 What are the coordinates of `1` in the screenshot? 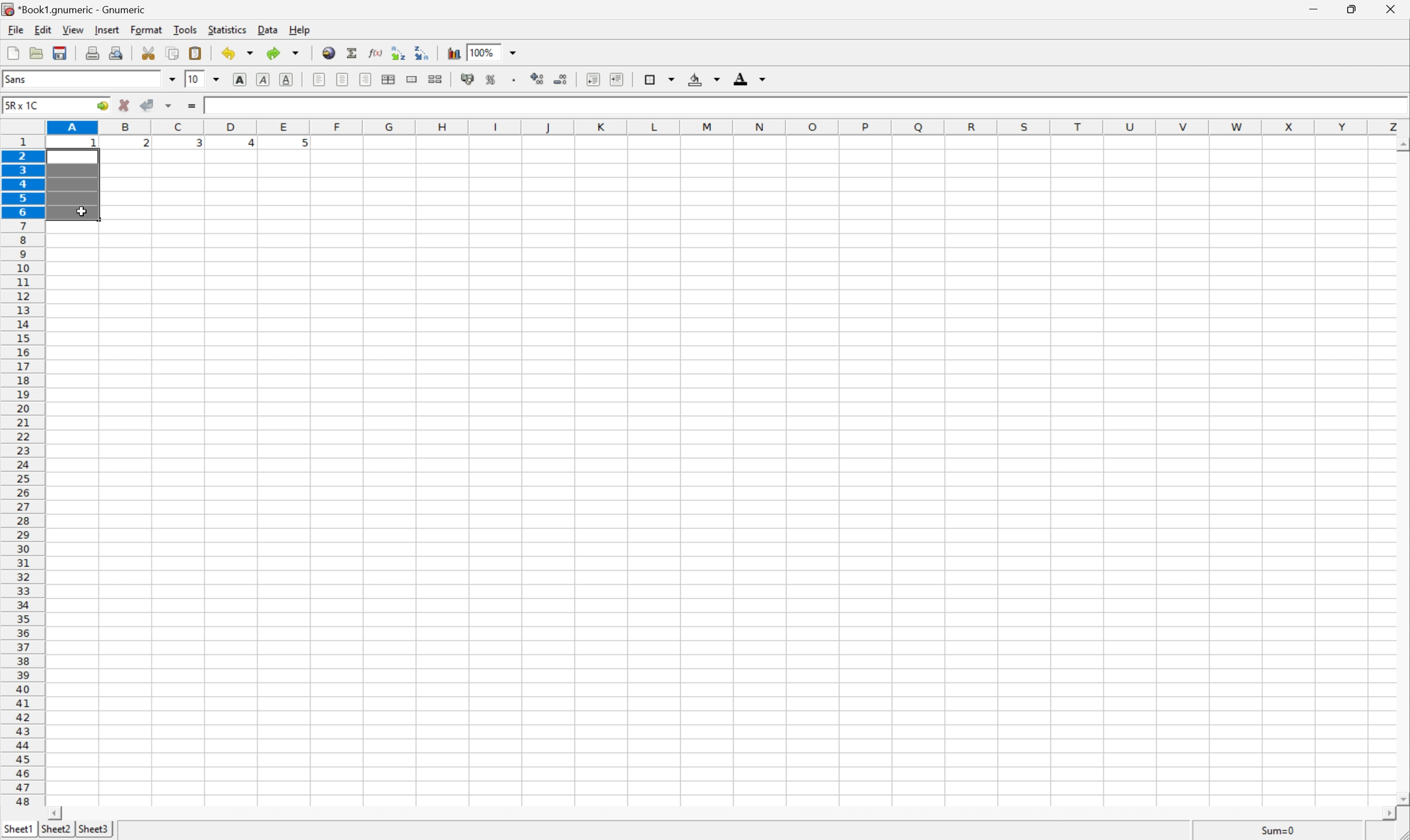 It's located at (95, 146).